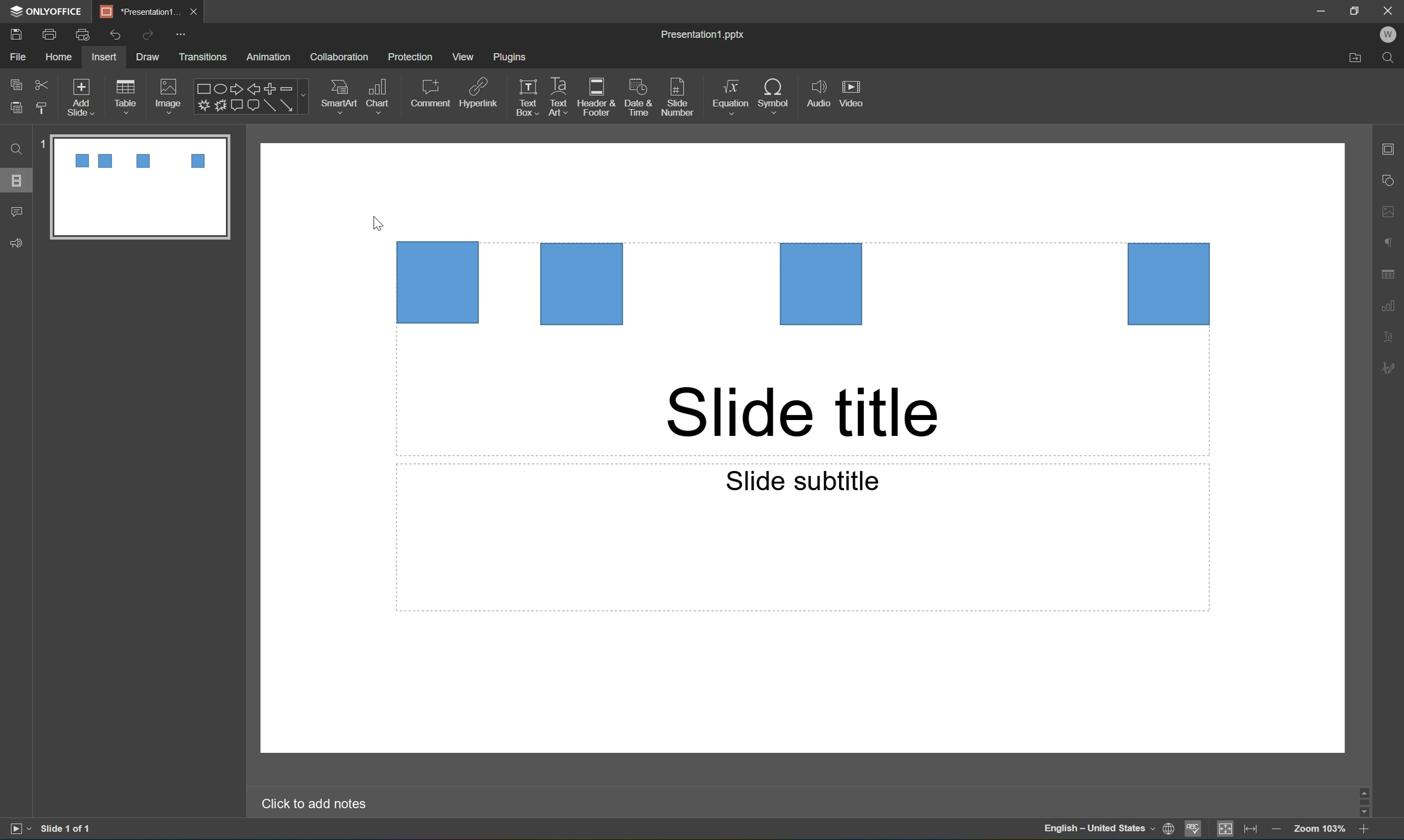 Image resolution: width=1404 pixels, height=840 pixels. I want to click on table, so click(130, 93).